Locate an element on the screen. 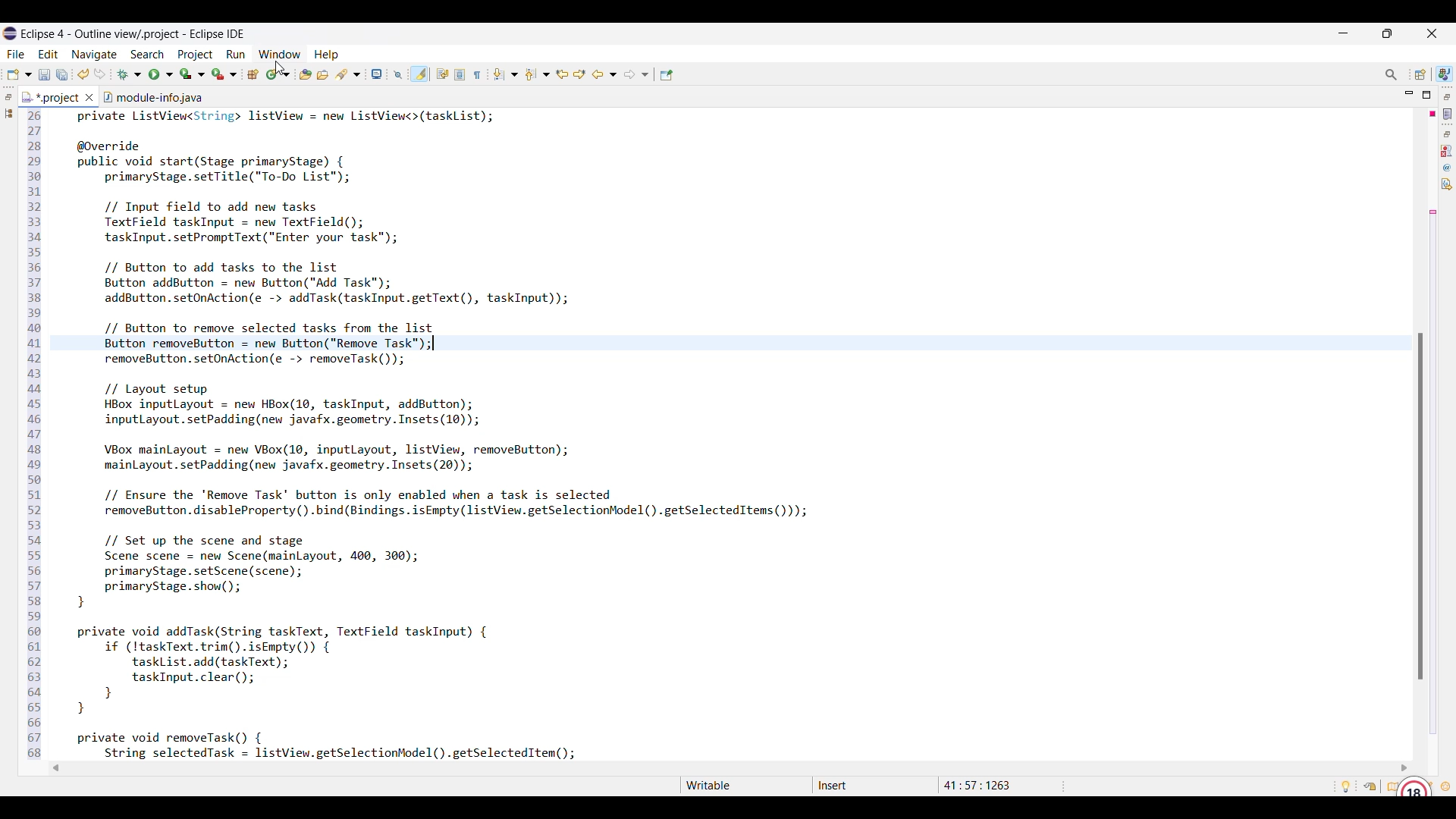  Javadoc is located at coordinates (1448, 168).